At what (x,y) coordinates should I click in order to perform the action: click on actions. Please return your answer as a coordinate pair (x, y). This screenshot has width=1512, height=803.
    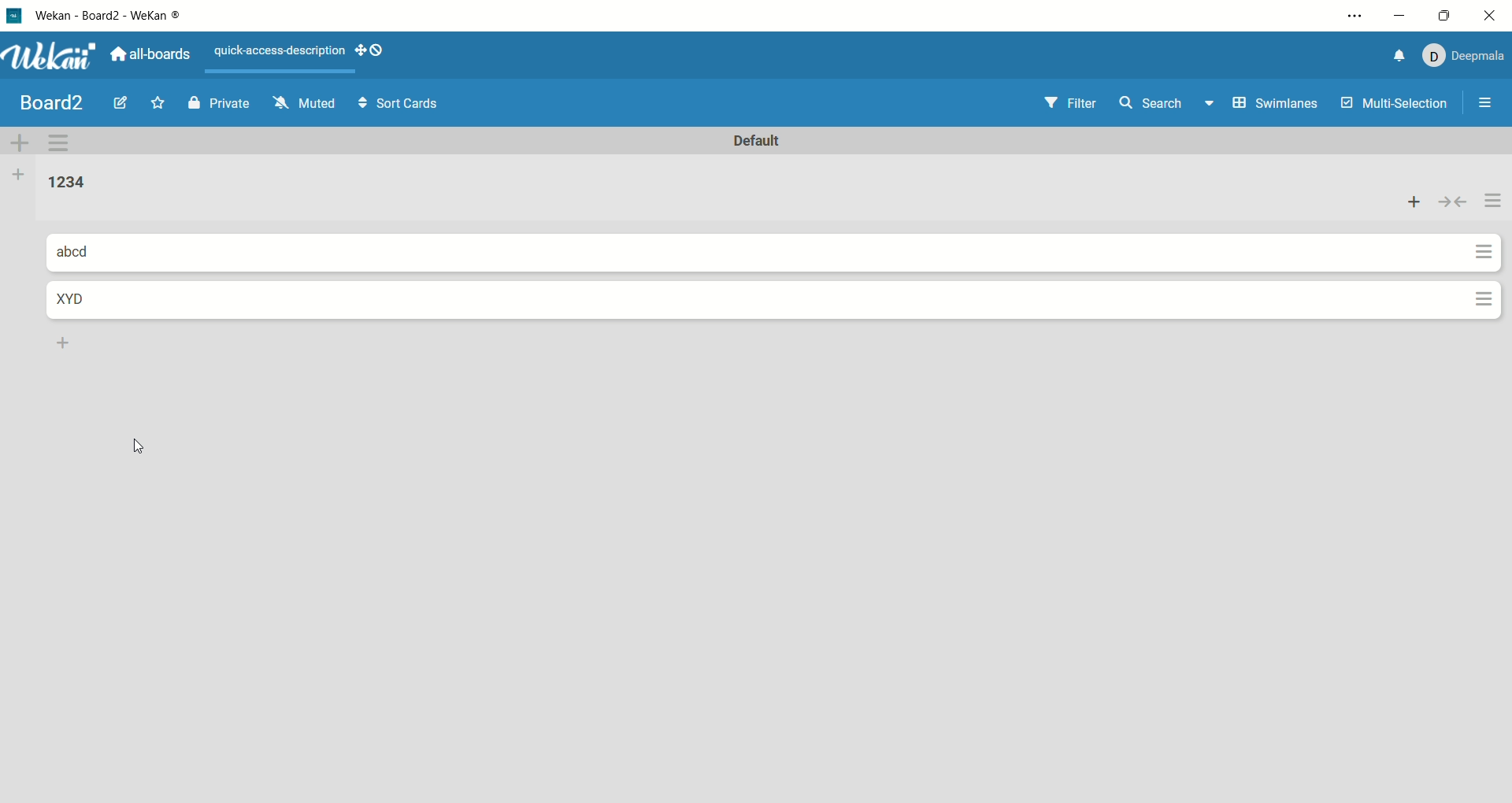
    Looking at the image, I should click on (1484, 253).